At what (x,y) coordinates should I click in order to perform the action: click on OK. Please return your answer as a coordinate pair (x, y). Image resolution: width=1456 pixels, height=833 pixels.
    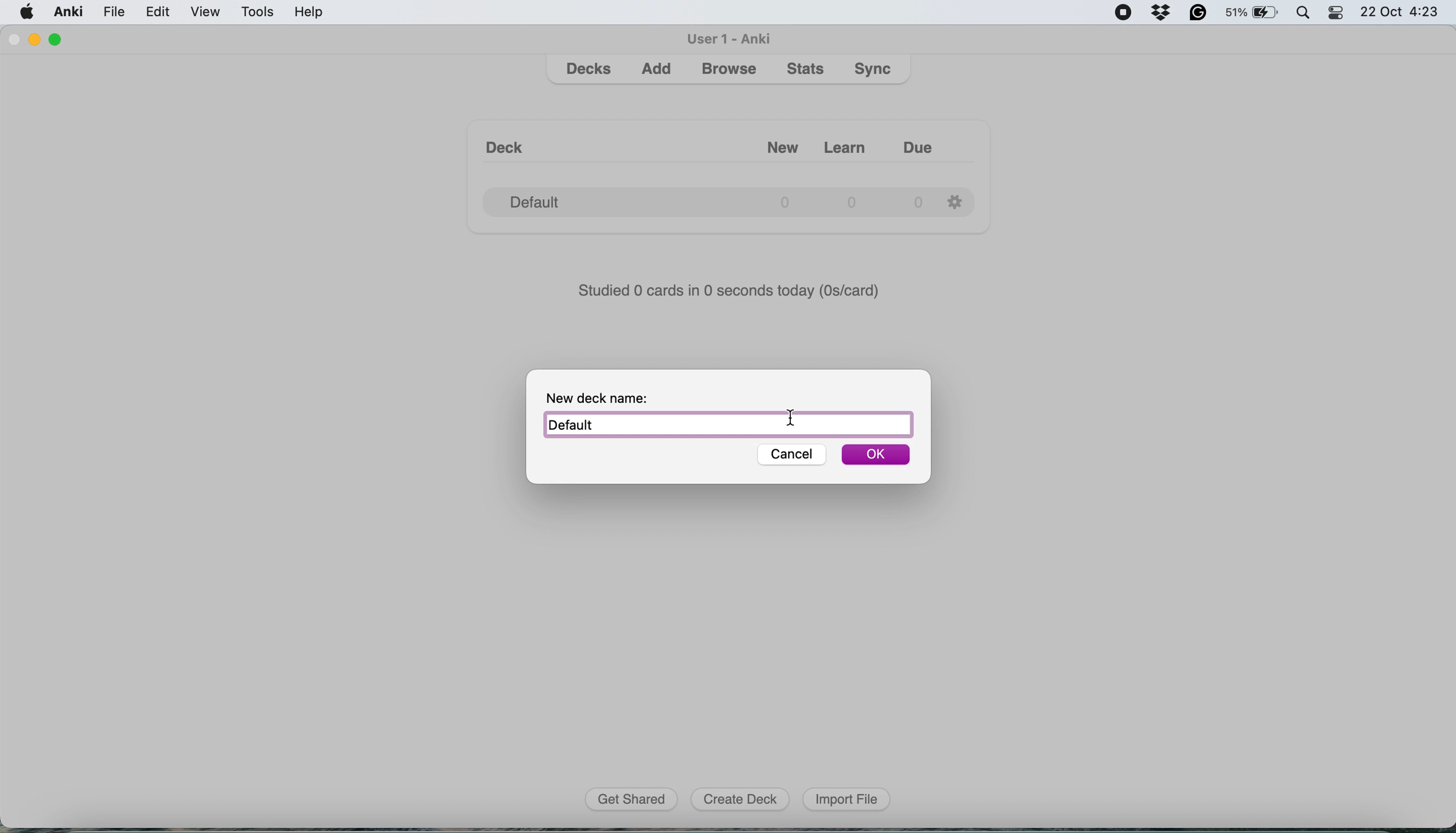
    Looking at the image, I should click on (877, 456).